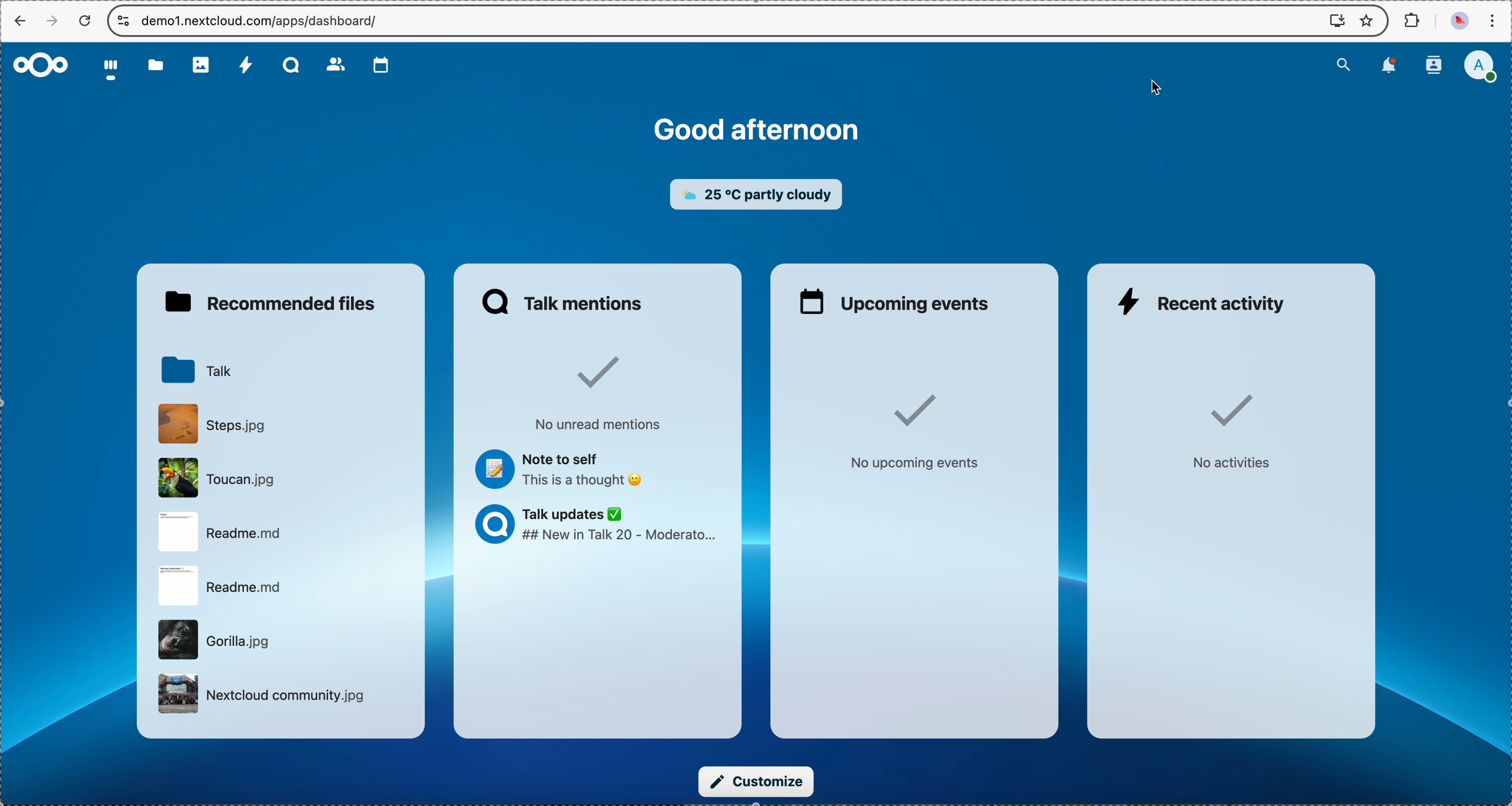 The width and height of the screenshot is (1512, 806). What do you see at coordinates (121, 21) in the screenshot?
I see `controls` at bounding box center [121, 21].